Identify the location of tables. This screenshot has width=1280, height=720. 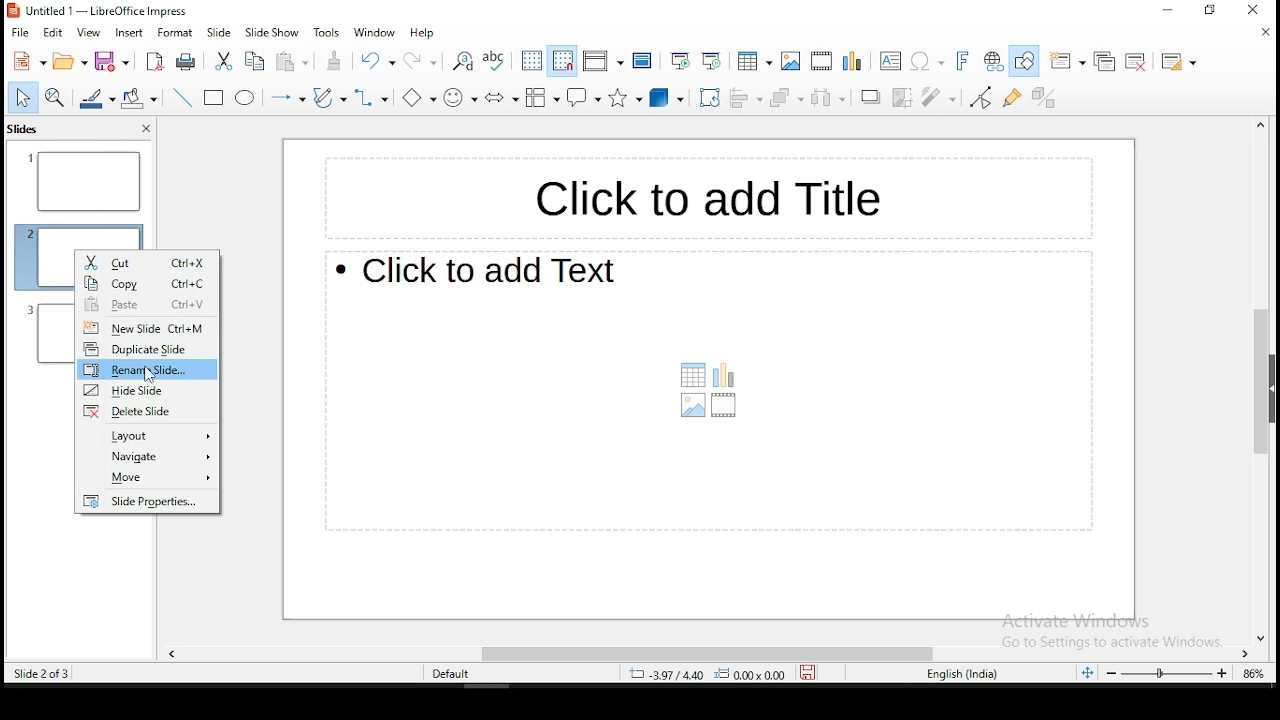
(756, 61).